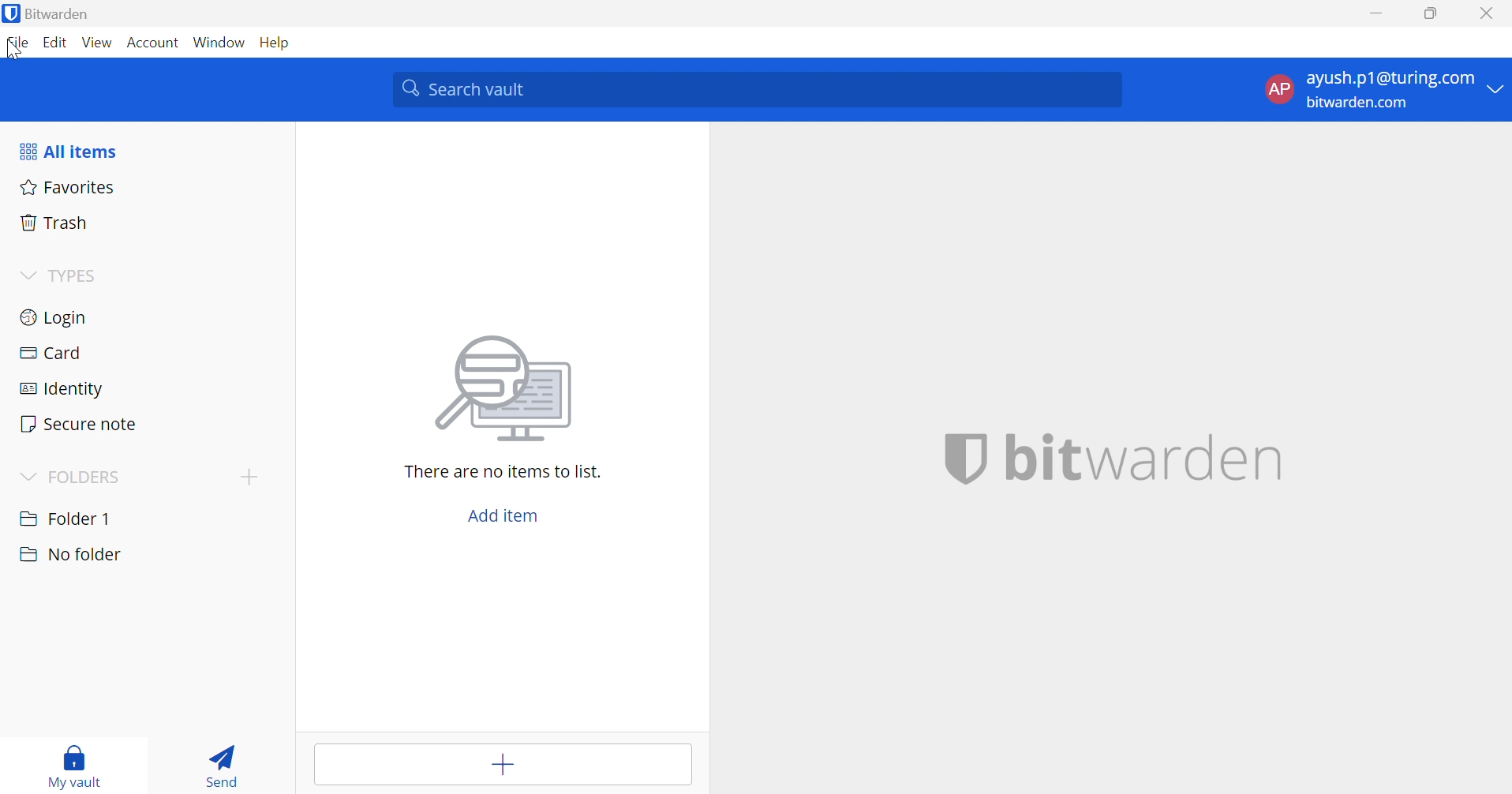  Describe the element at coordinates (758, 90) in the screenshot. I see `Search vault` at that location.